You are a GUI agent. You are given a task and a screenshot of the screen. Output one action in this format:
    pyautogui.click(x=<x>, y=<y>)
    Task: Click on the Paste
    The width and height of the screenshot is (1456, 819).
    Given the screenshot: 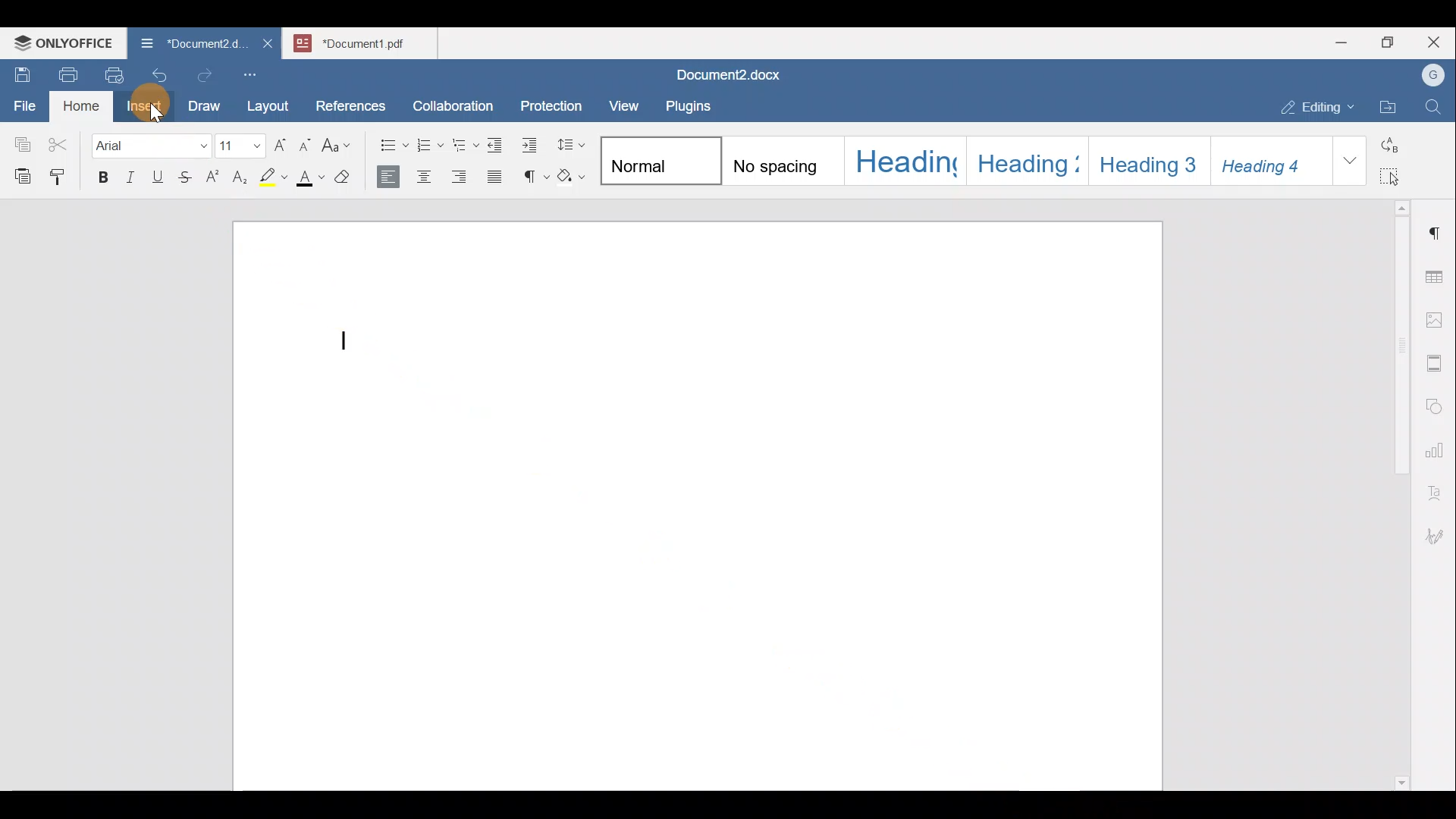 What is the action you would take?
    pyautogui.click(x=19, y=172)
    